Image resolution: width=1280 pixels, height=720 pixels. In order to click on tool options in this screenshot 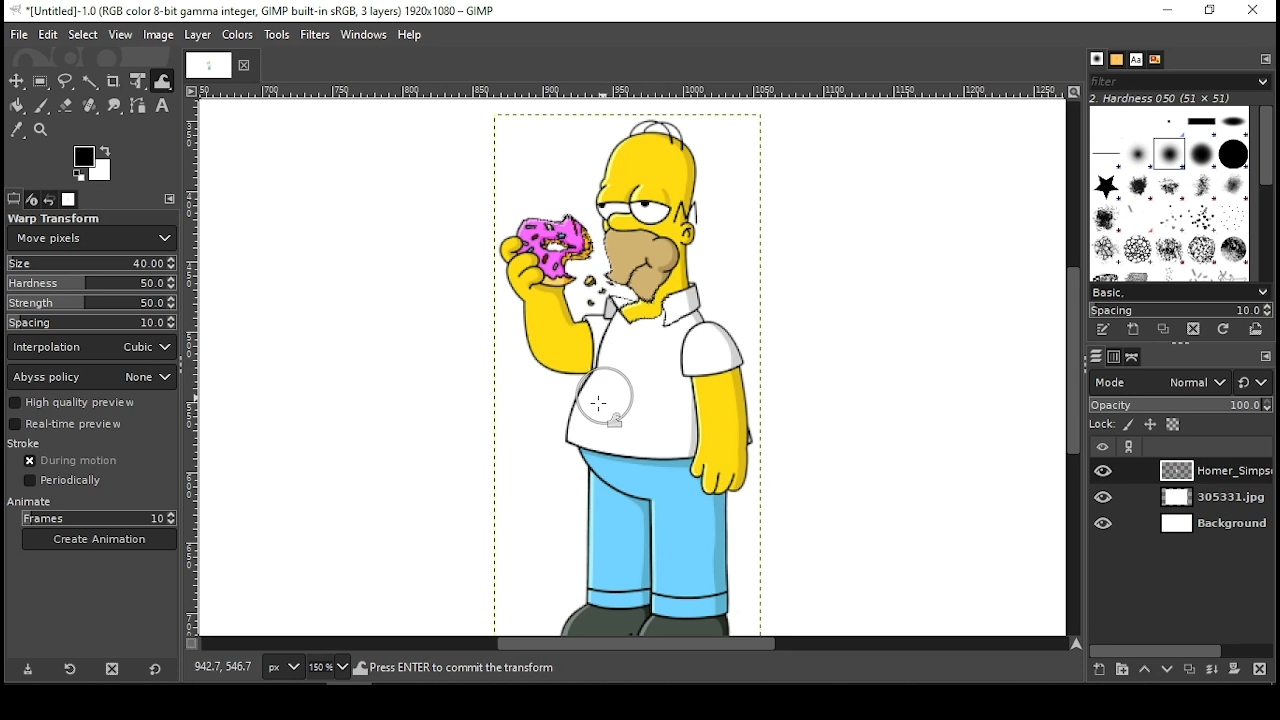, I will do `click(15, 199)`.